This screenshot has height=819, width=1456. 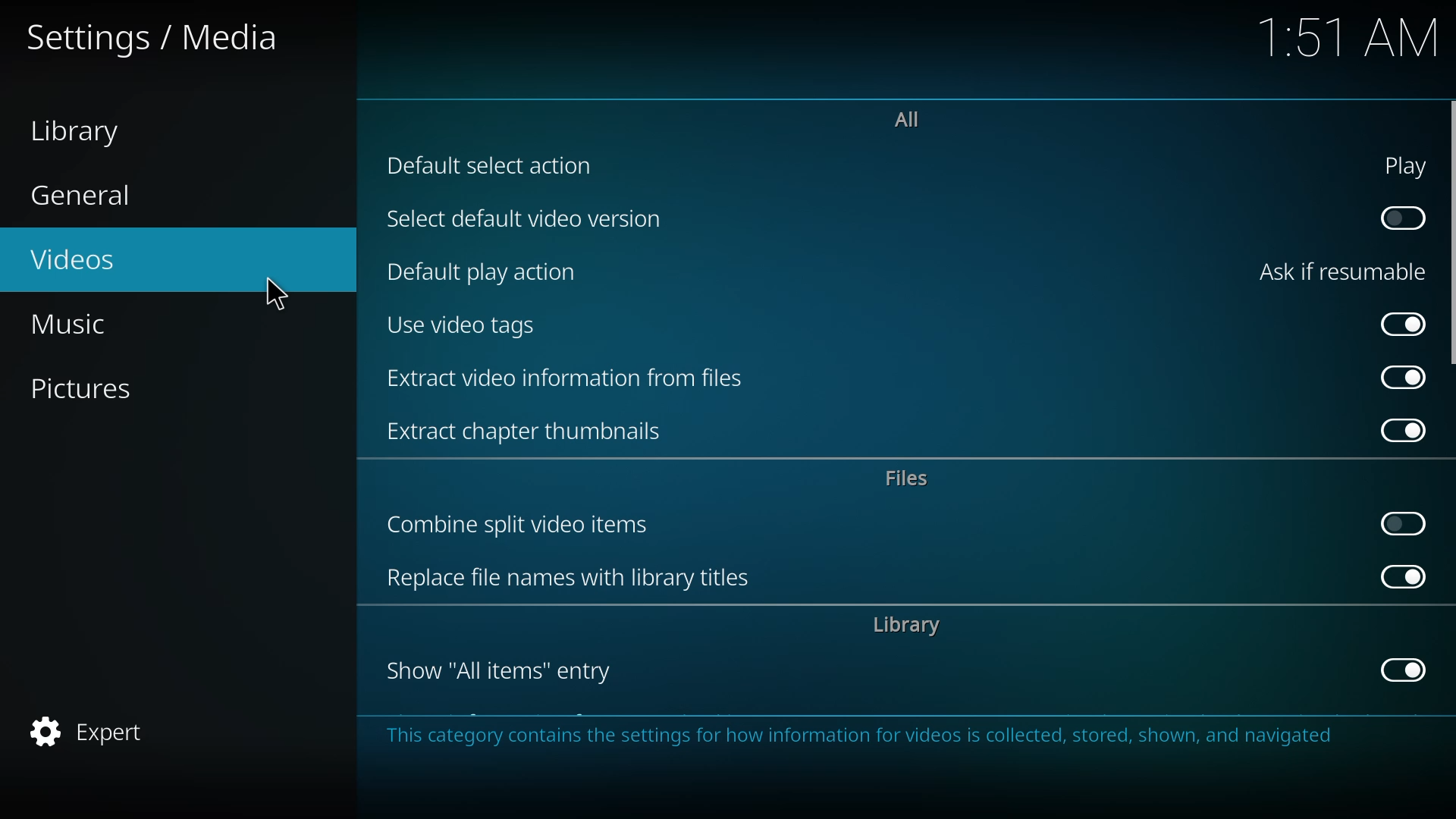 I want to click on default play action, so click(x=483, y=270).